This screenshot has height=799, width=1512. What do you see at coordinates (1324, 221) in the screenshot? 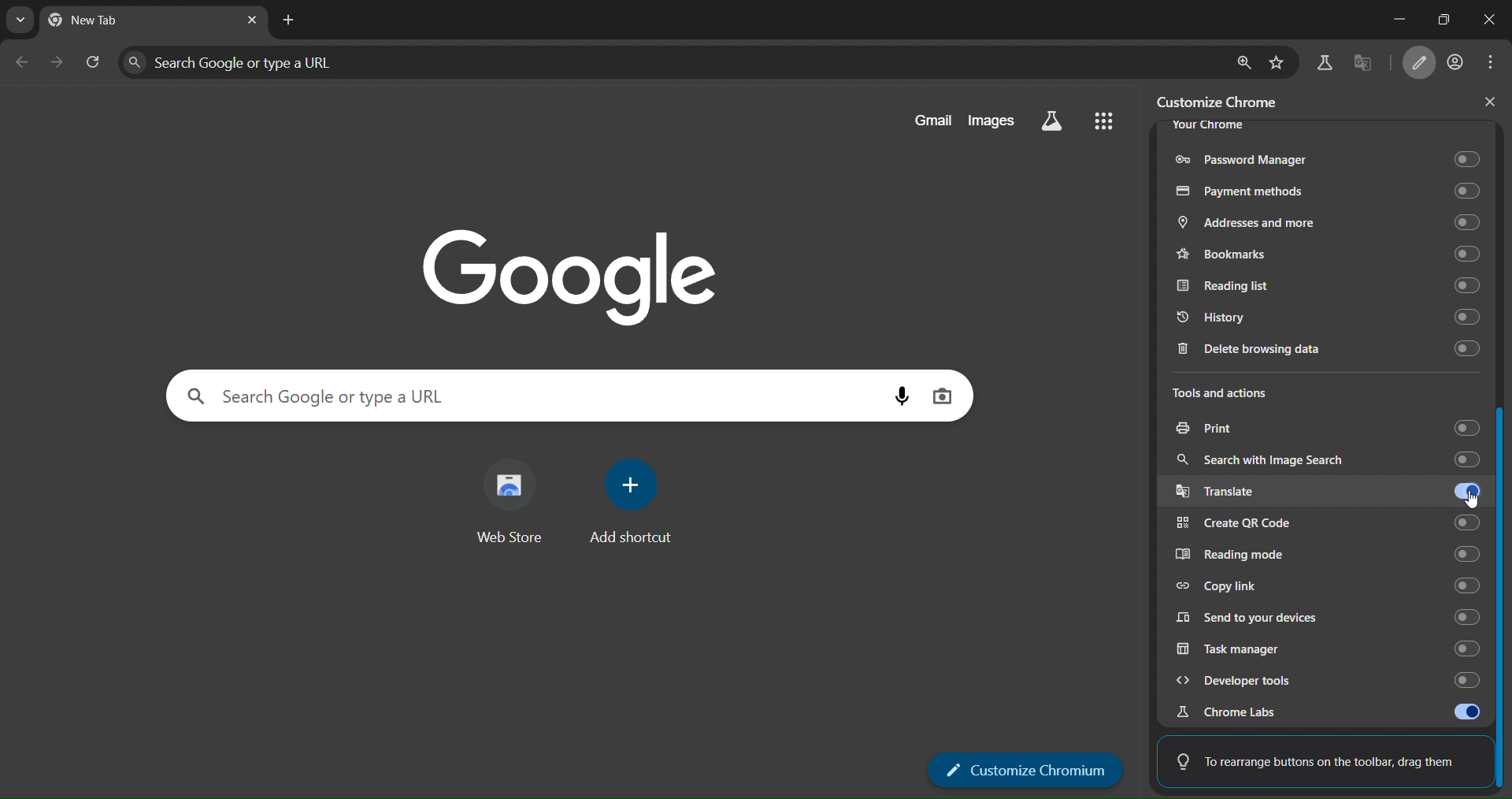
I see `addresses and more` at bounding box center [1324, 221].